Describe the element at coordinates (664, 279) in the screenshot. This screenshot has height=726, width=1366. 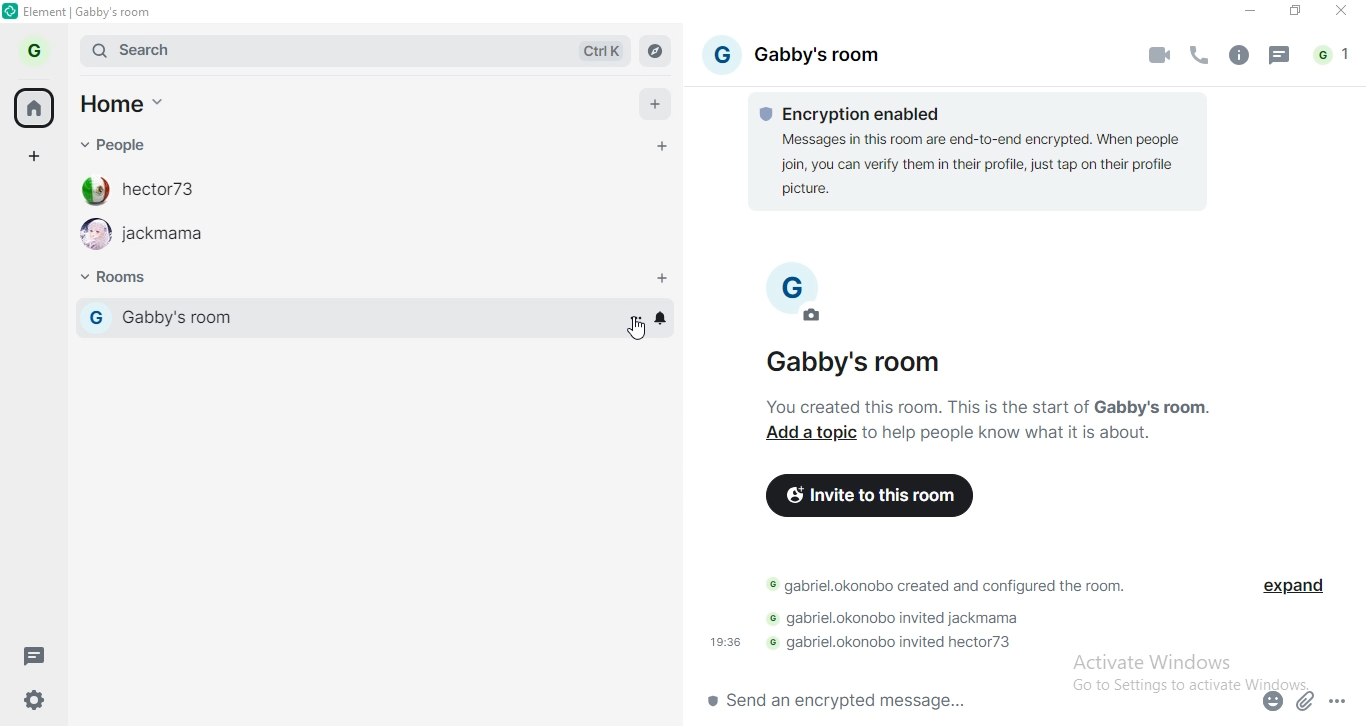
I see `add rooms` at that location.